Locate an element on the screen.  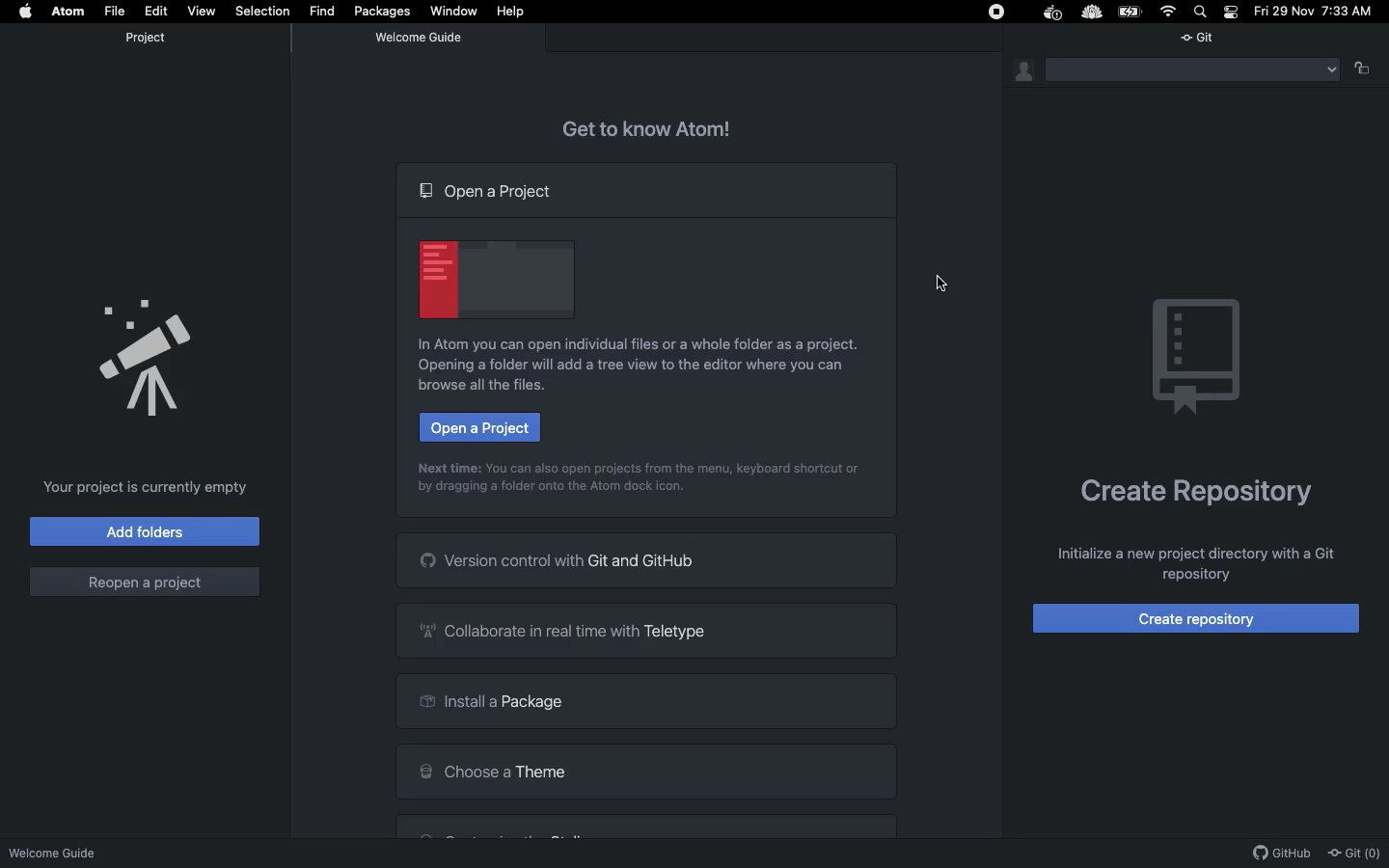
Open a project is located at coordinates (479, 428).